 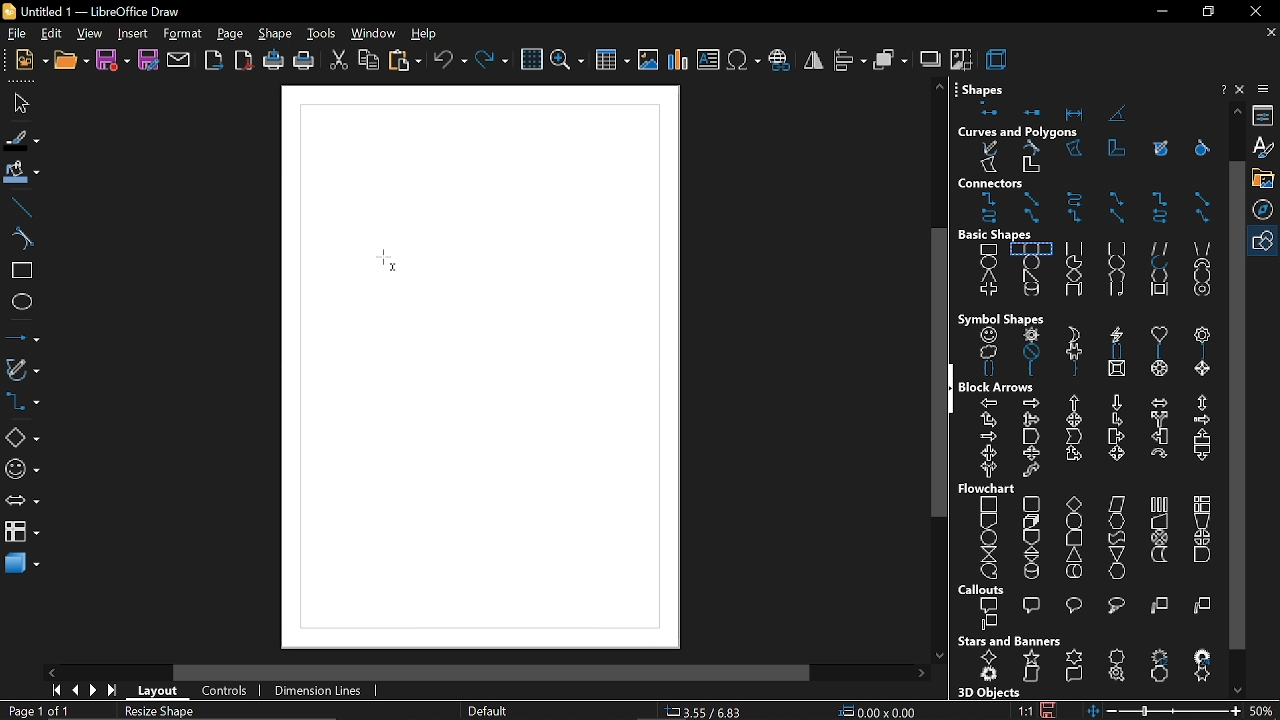 I want to click on current page, so click(x=38, y=711).